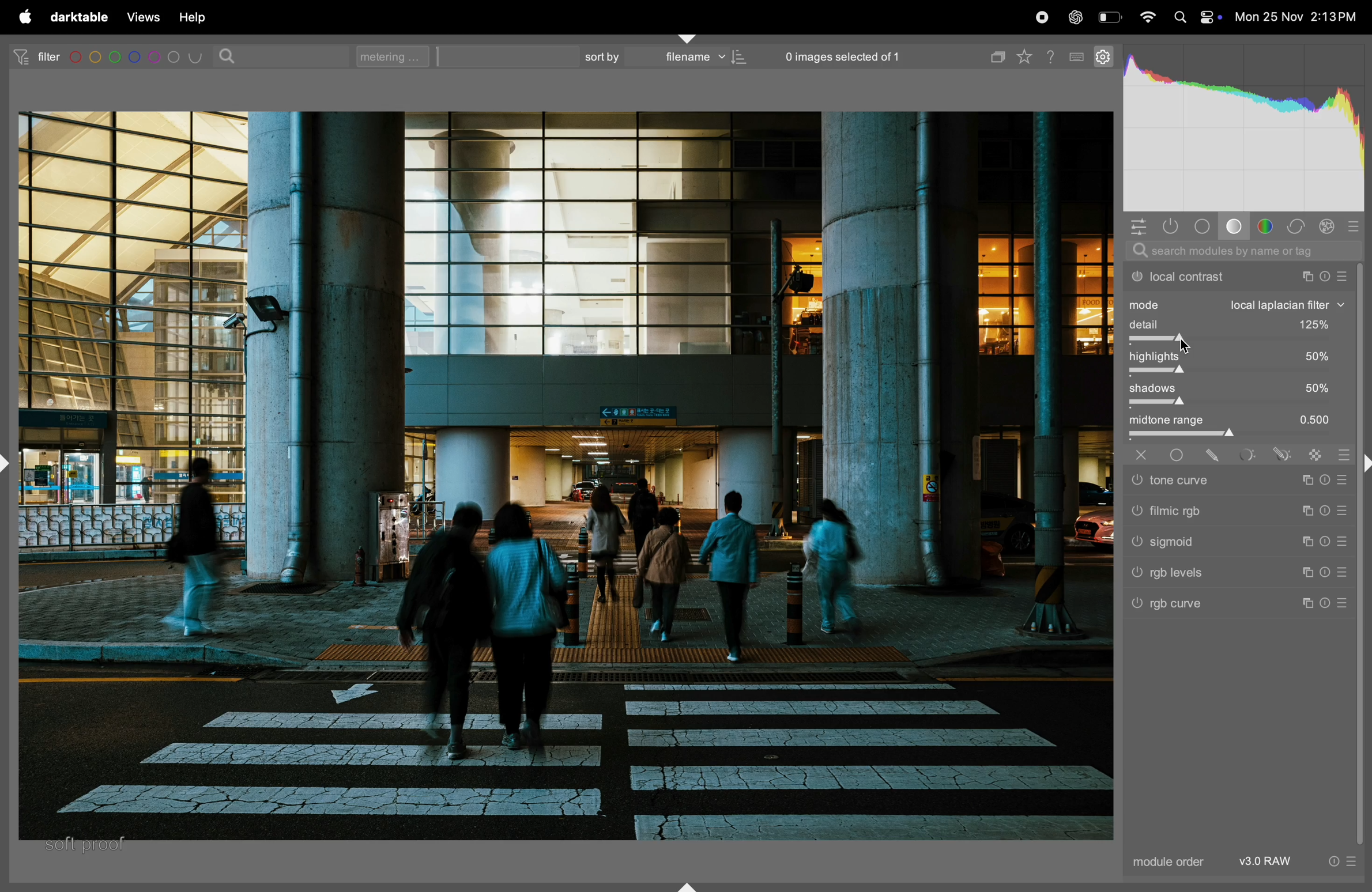  What do you see at coordinates (995, 54) in the screenshot?
I see `copy` at bounding box center [995, 54].